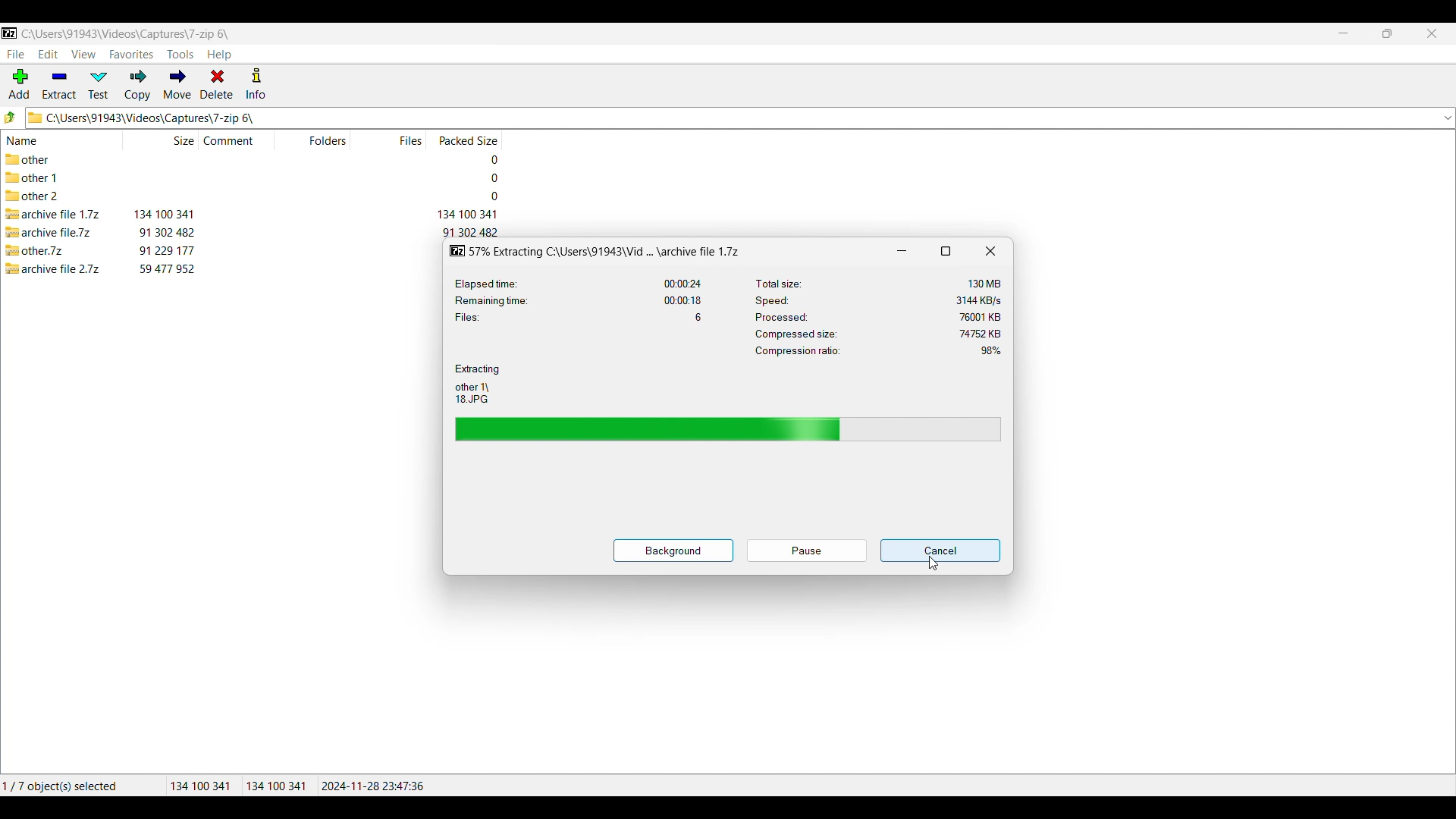 The image size is (1456, 819). Describe the element at coordinates (579, 300) in the screenshot. I see `Remaining time: 00:00:18` at that location.